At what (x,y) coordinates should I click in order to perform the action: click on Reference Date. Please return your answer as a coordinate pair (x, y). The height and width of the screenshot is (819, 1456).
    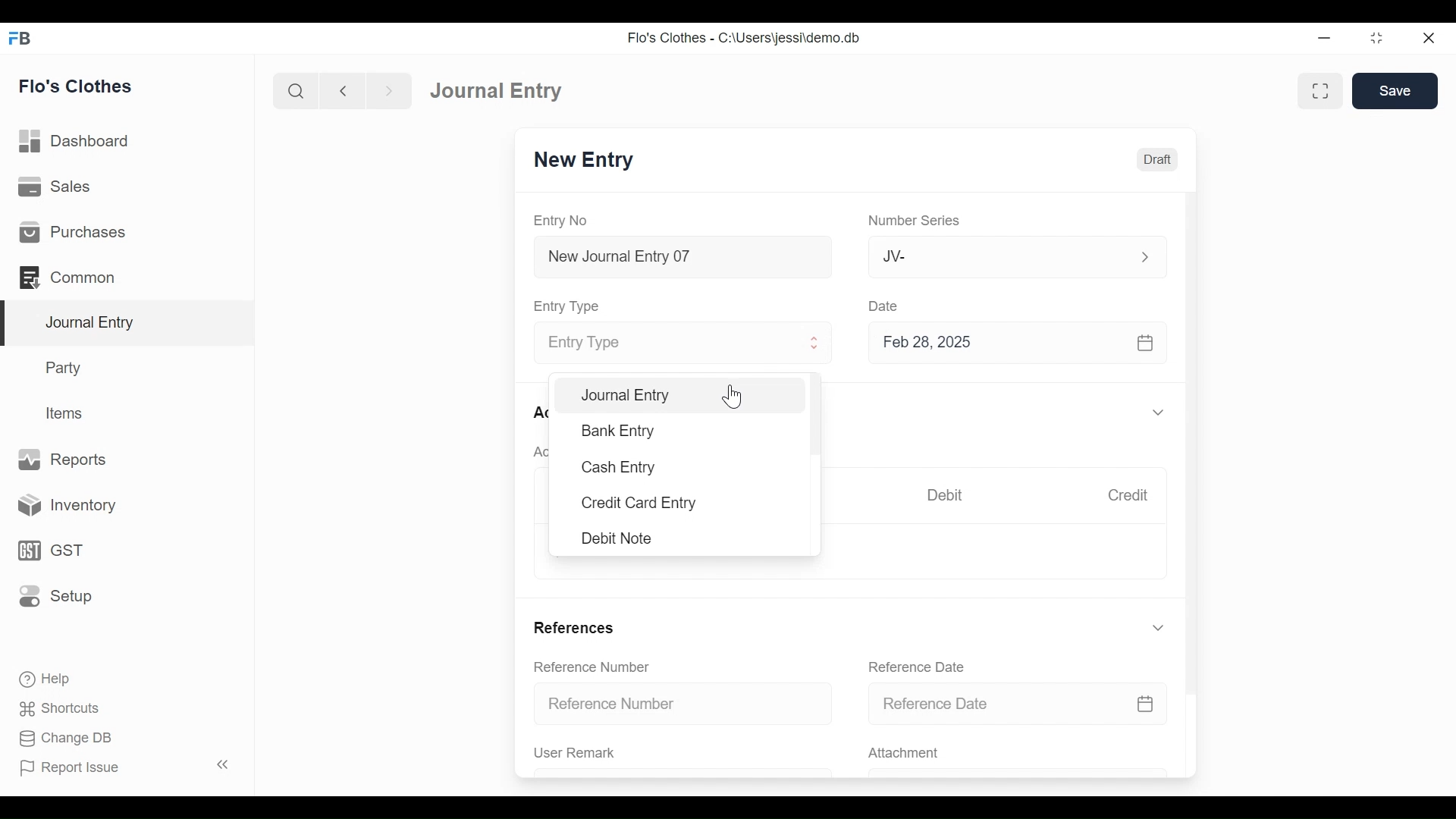
    Looking at the image, I should click on (1013, 704).